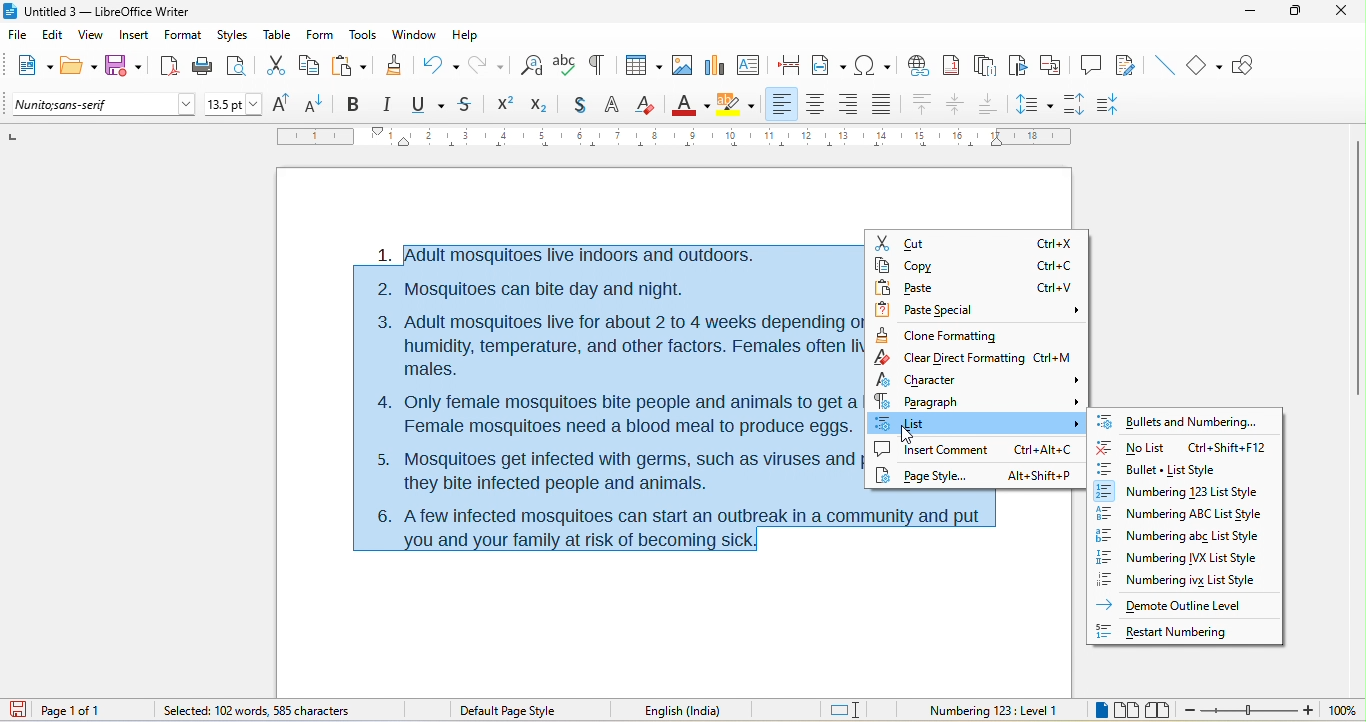  I want to click on paste, so click(350, 64).